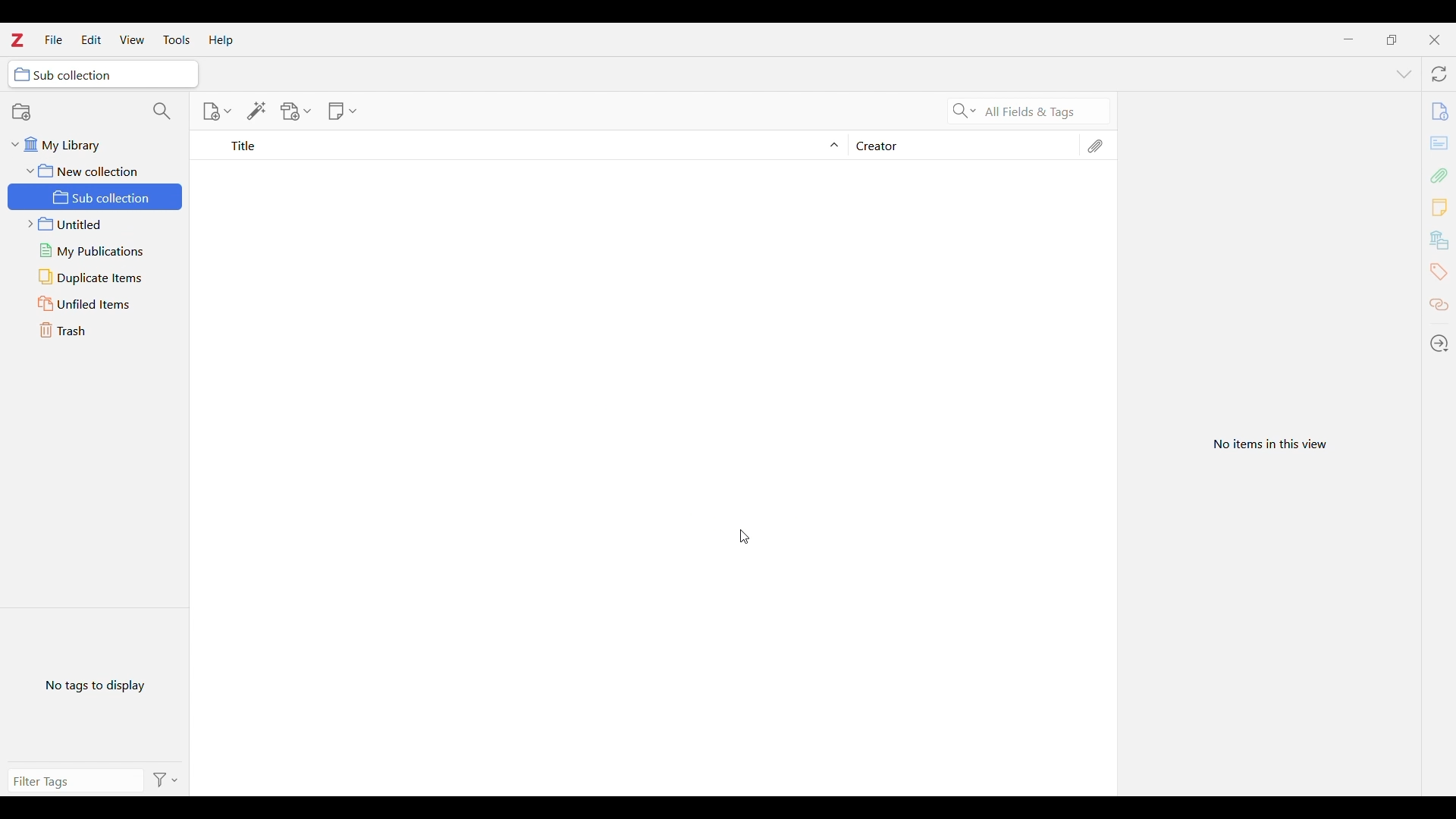 Image resolution: width=1456 pixels, height=819 pixels. What do you see at coordinates (102, 74) in the screenshot?
I see `Current collection` at bounding box center [102, 74].